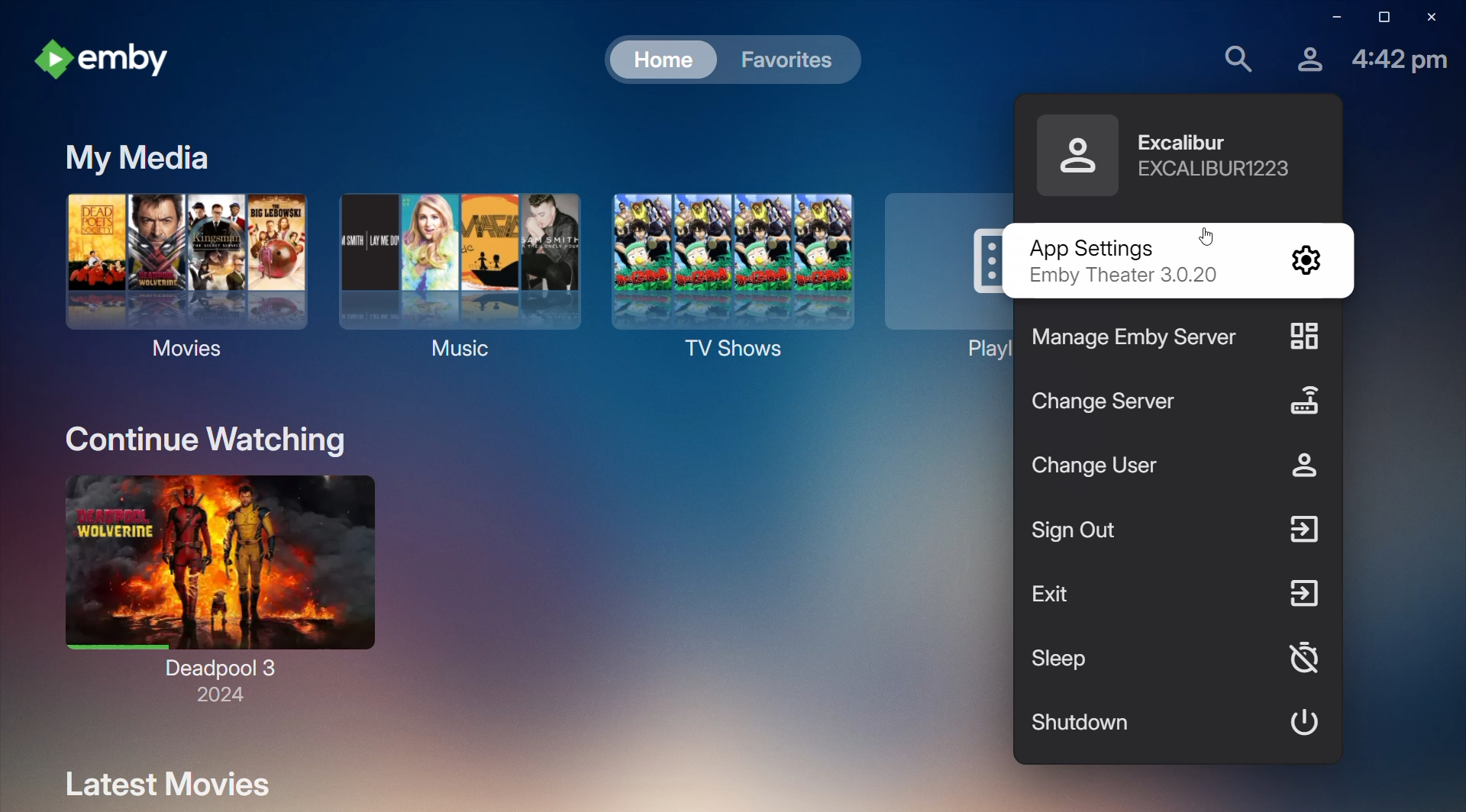  I want to click on Manage Server, so click(1180, 337).